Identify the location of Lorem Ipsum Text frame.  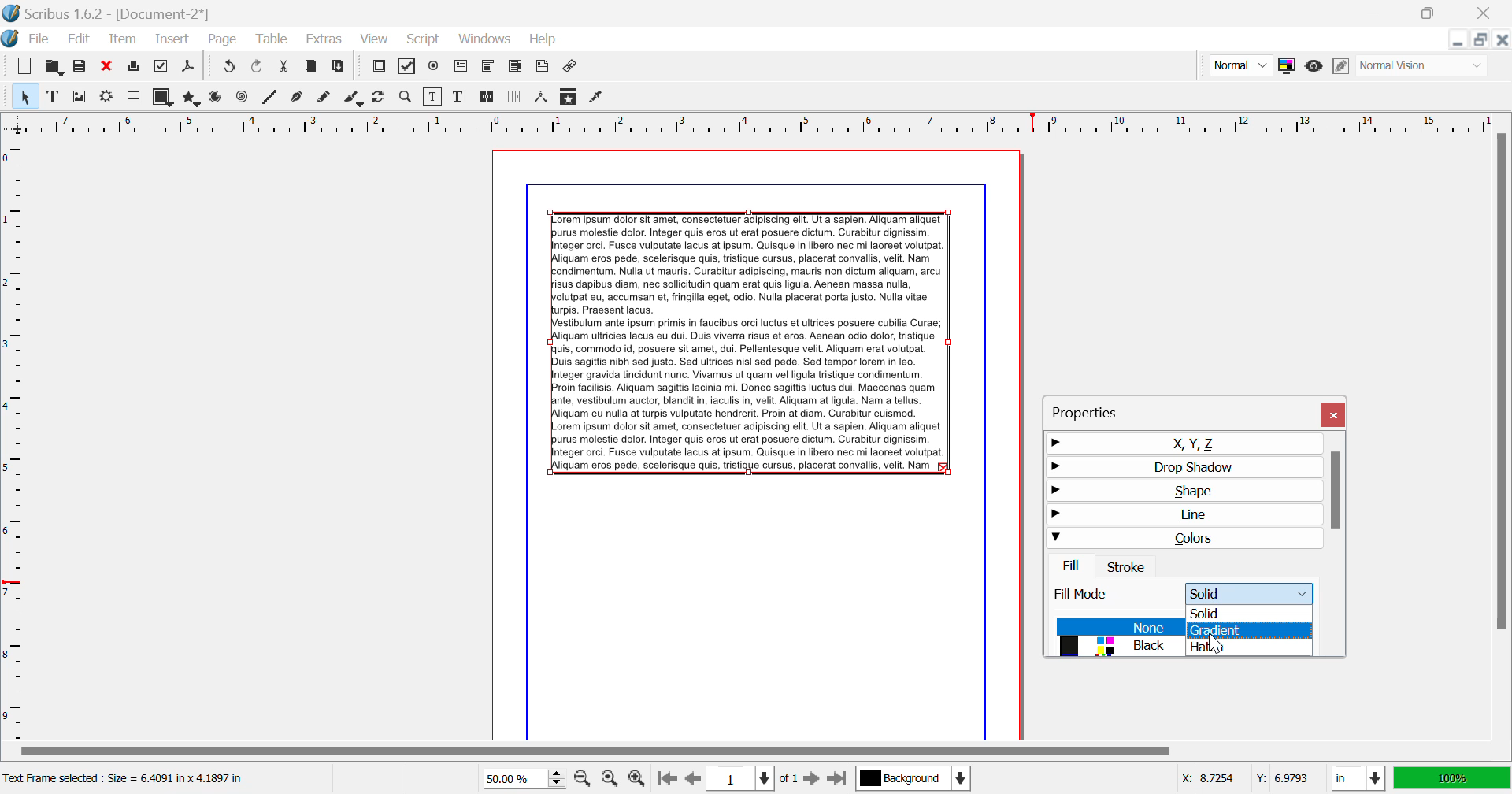
(750, 343).